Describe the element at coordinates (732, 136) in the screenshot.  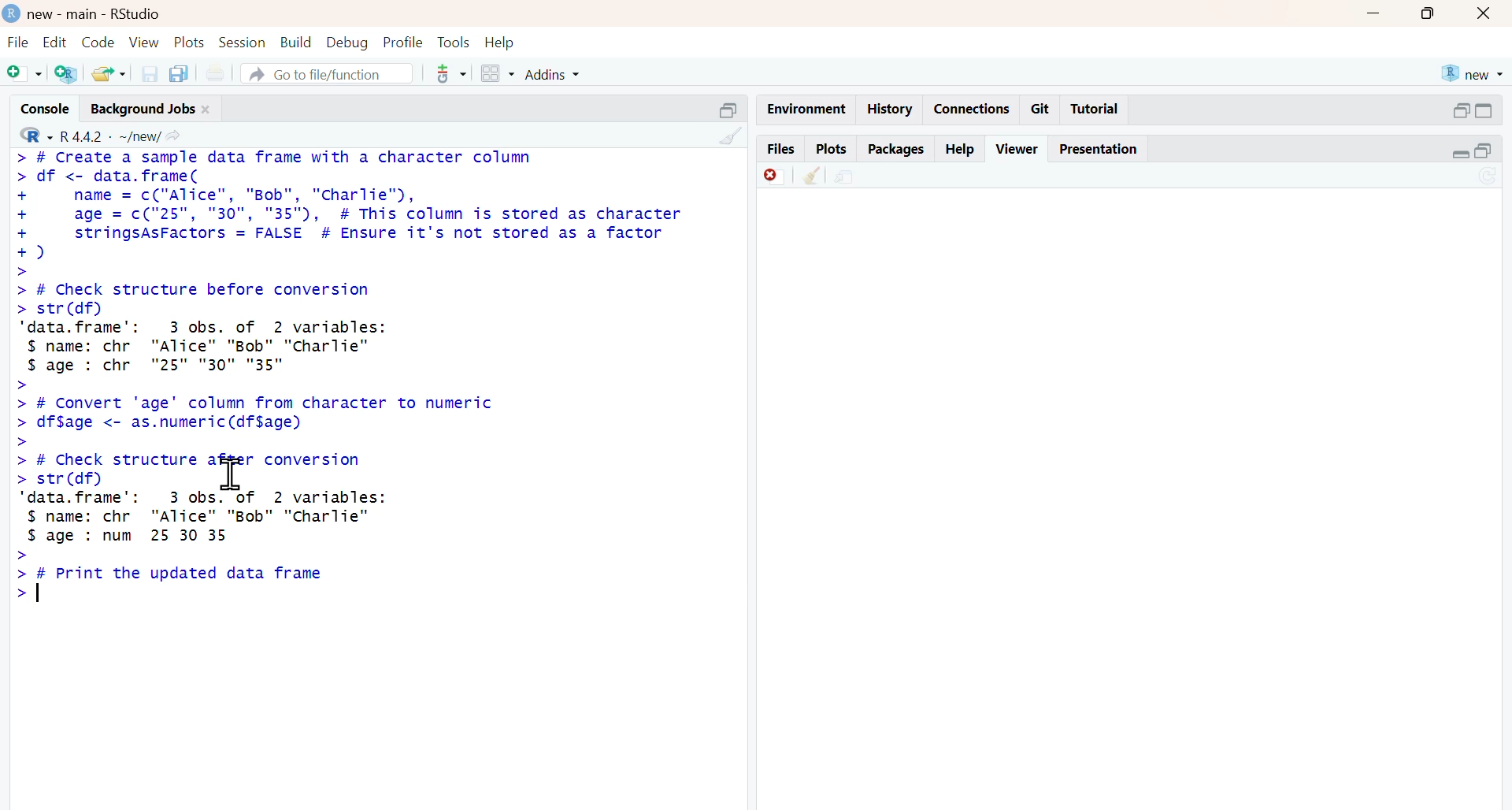
I see `clean` at that location.